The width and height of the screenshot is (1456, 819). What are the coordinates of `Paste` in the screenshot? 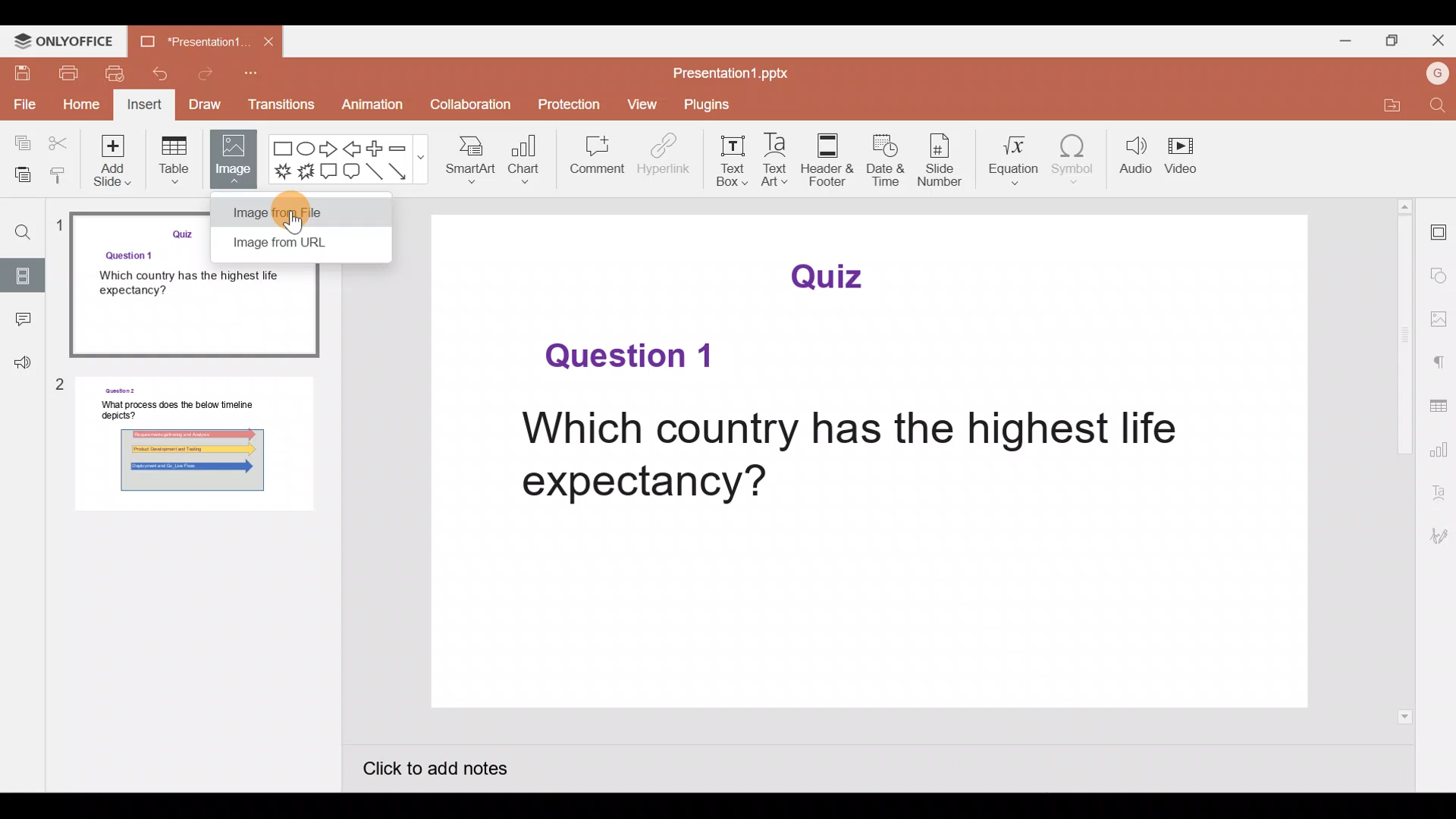 It's located at (19, 171).